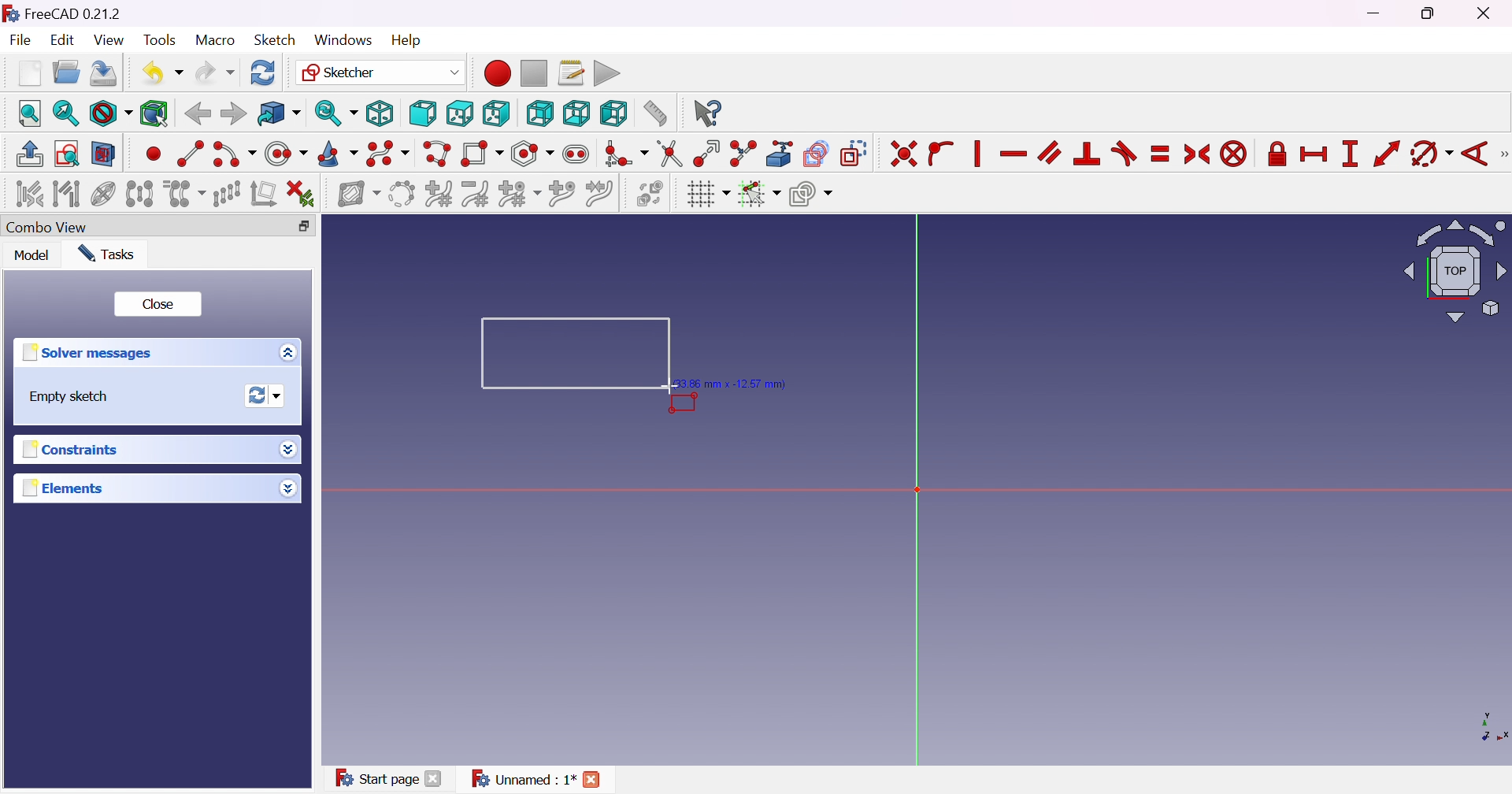 The height and width of the screenshot is (794, 1512). What do you see at coordinates (523, 781) in the screenshot?
I see `Unnamed:1*` at bounding box center [523, 781].